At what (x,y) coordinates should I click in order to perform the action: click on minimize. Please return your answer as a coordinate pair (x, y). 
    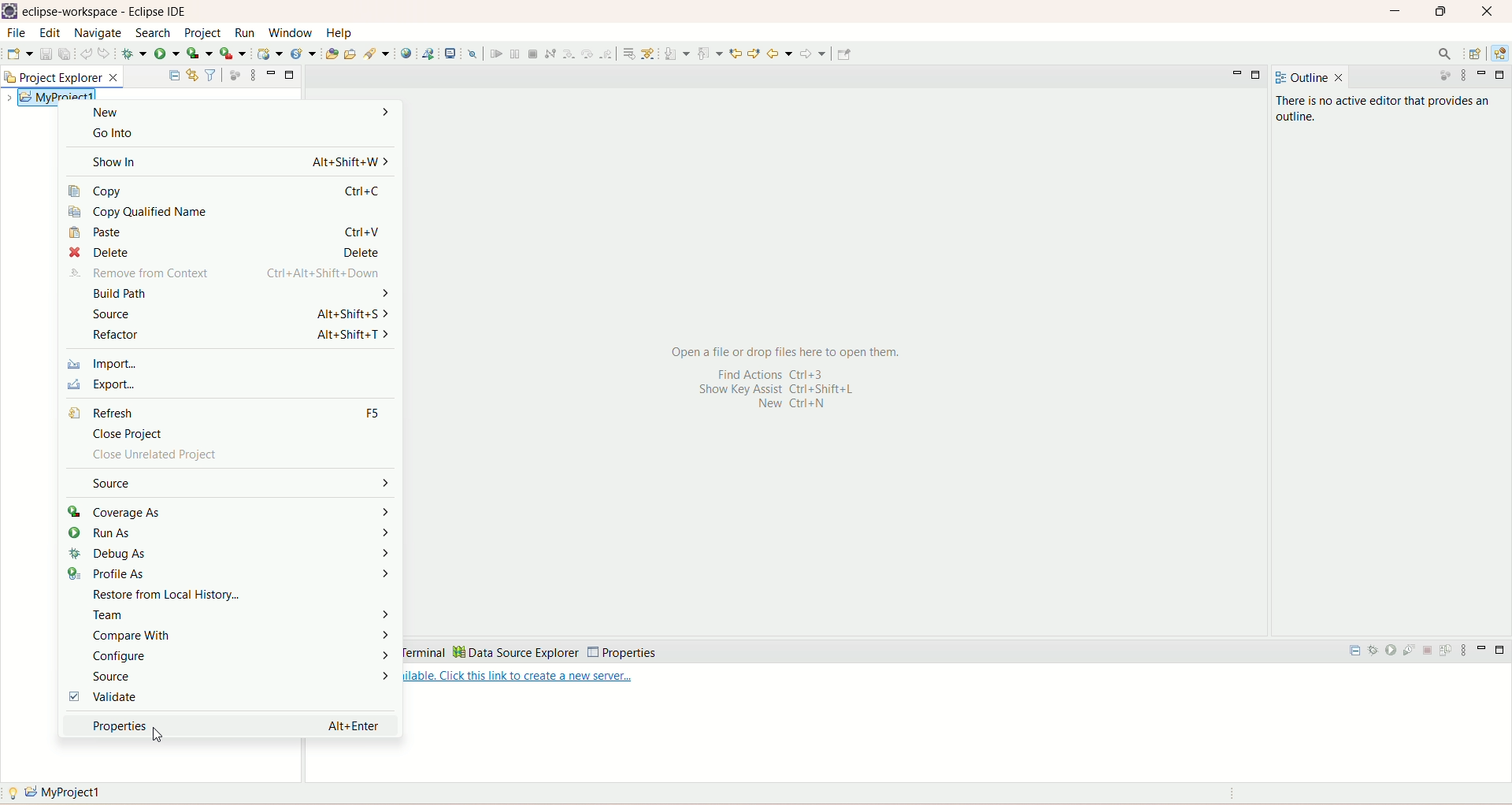
    Looking at the image, I should click on (291, 74).